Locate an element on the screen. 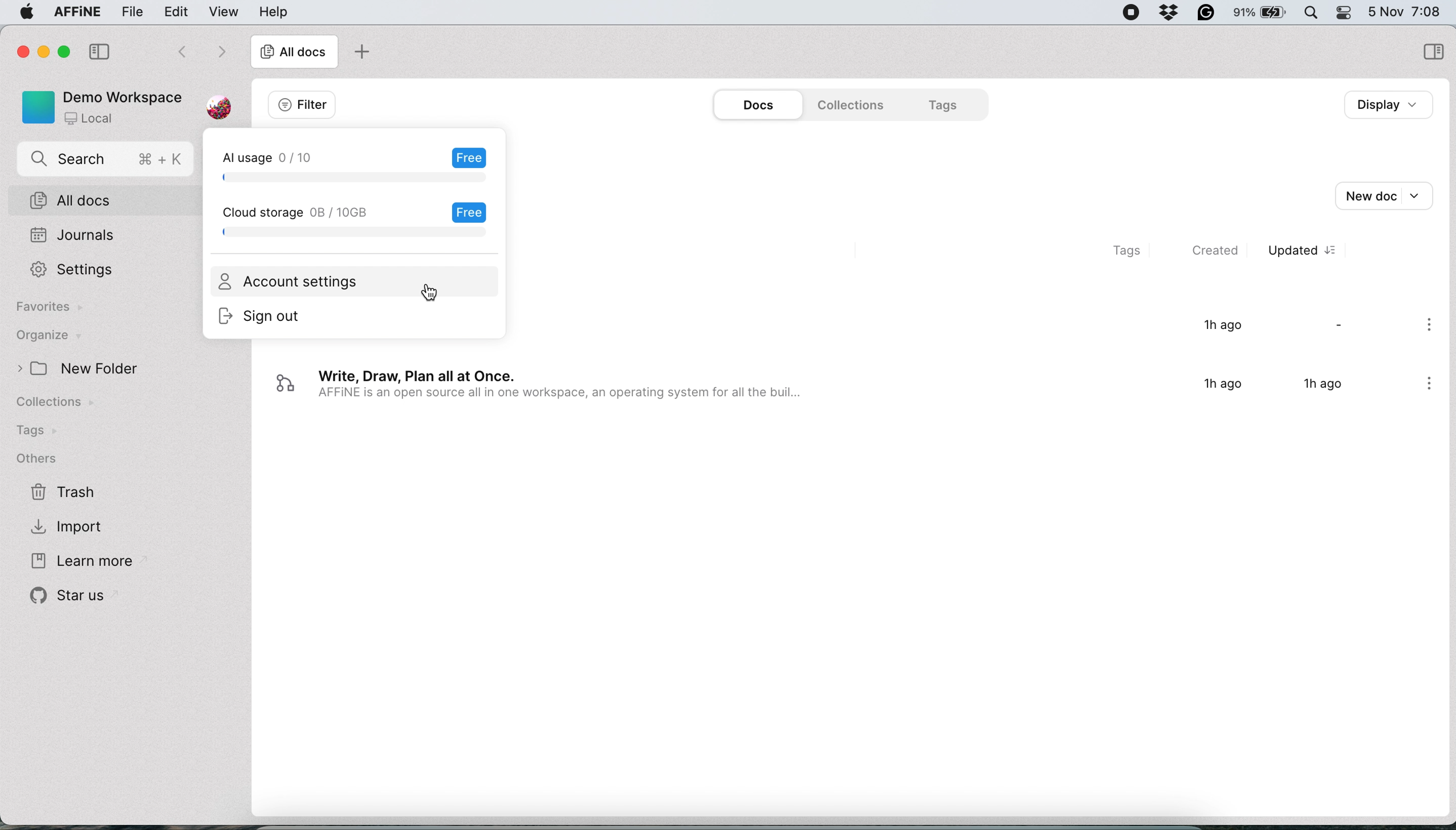  organize is located at coordinates (61, 336).